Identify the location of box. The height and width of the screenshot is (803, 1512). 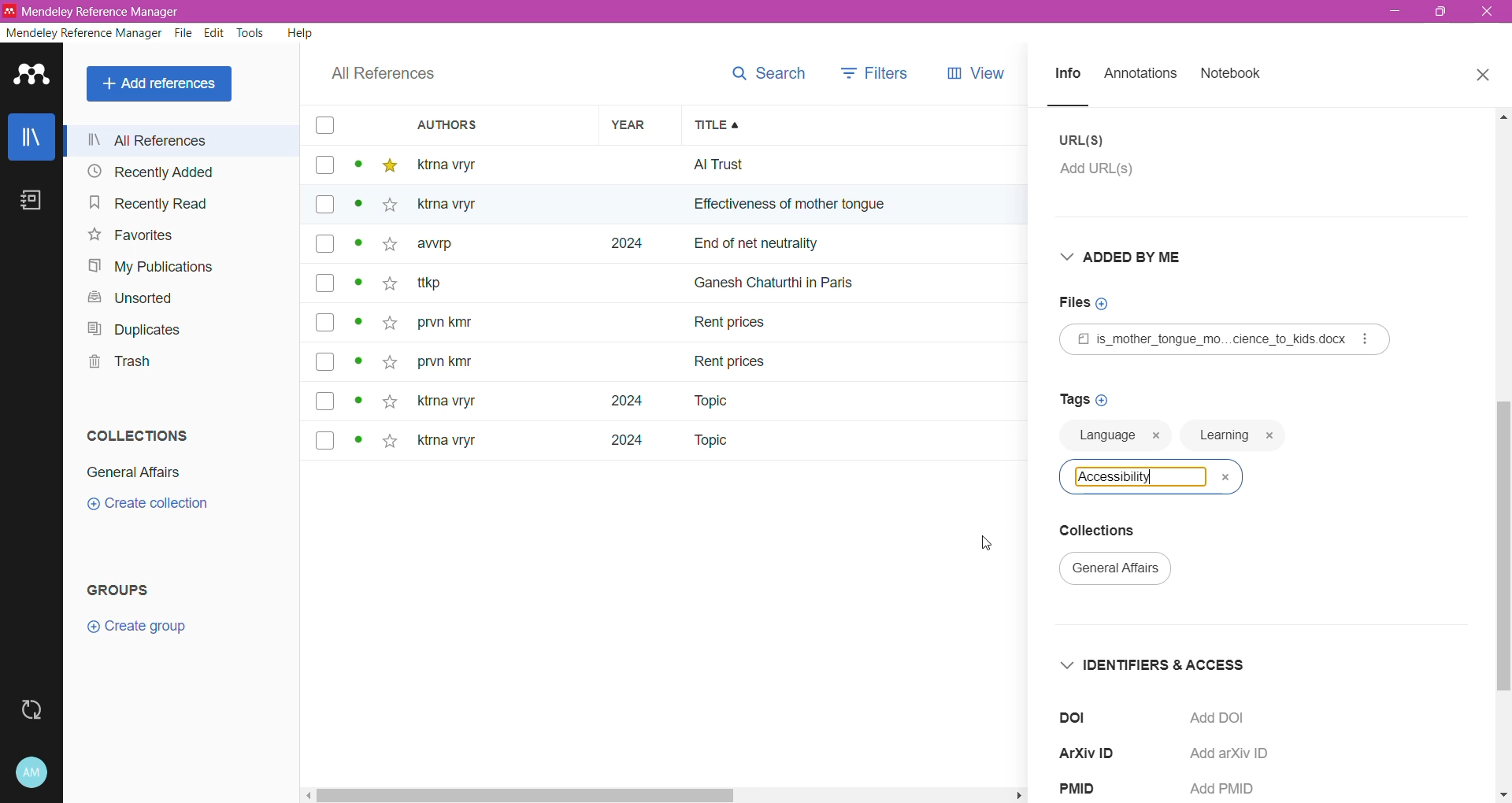
(325, 246).